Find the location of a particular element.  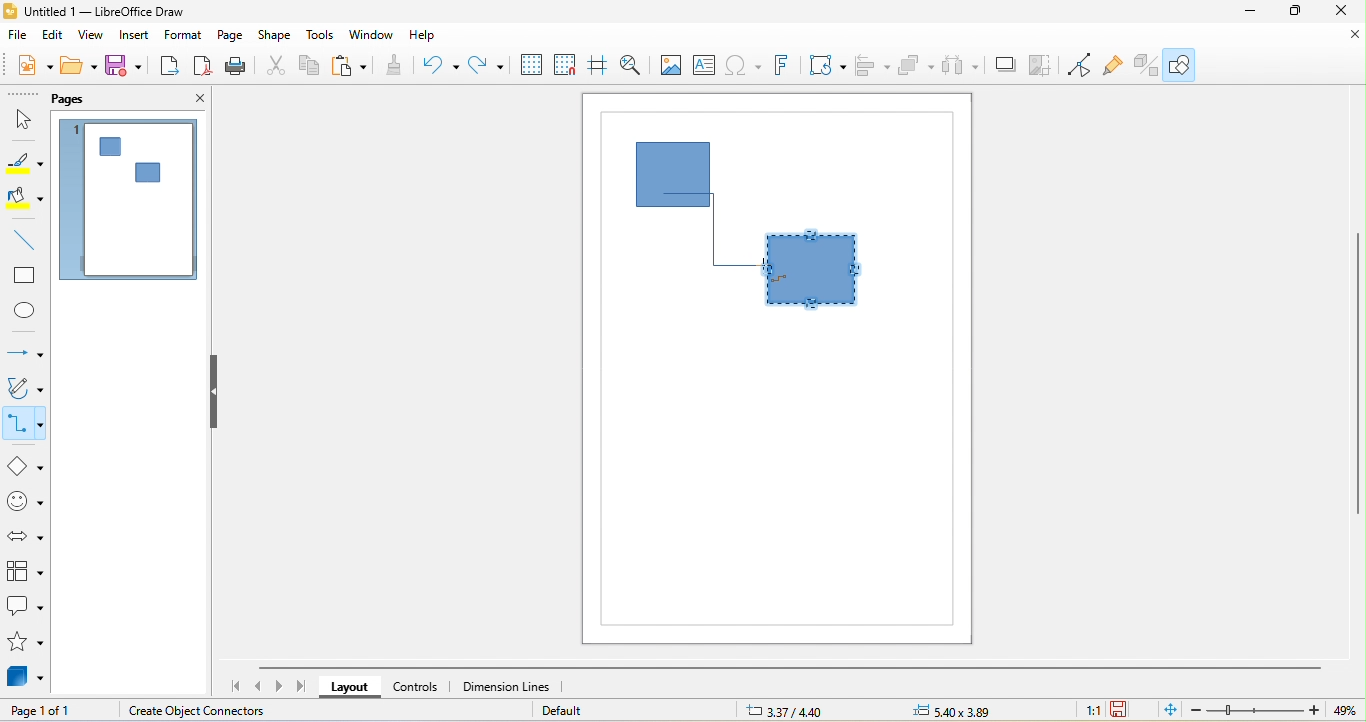

edit is located at coordinates (57, 35).